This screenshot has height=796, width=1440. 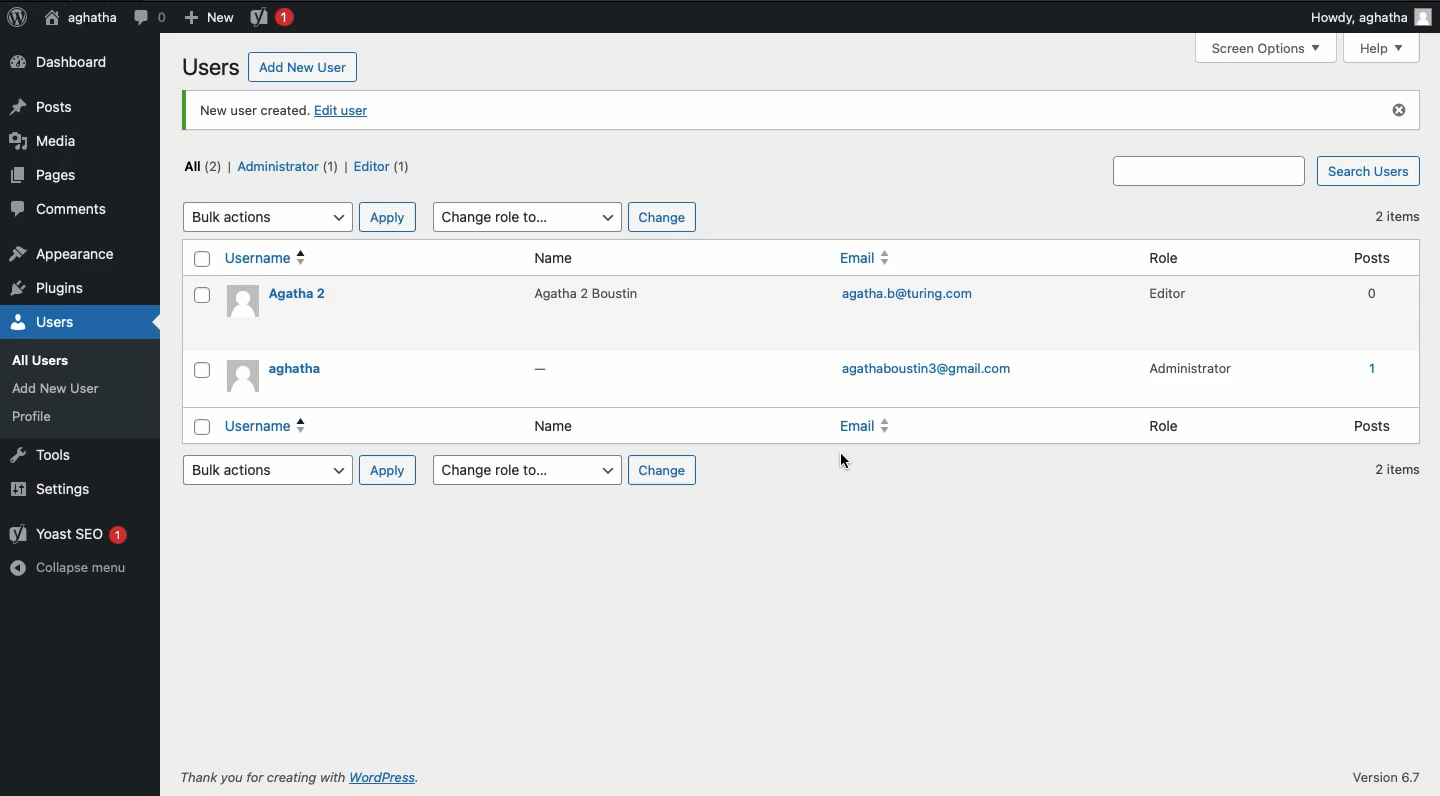 I want to click on Media, so click(x=61, y=212).